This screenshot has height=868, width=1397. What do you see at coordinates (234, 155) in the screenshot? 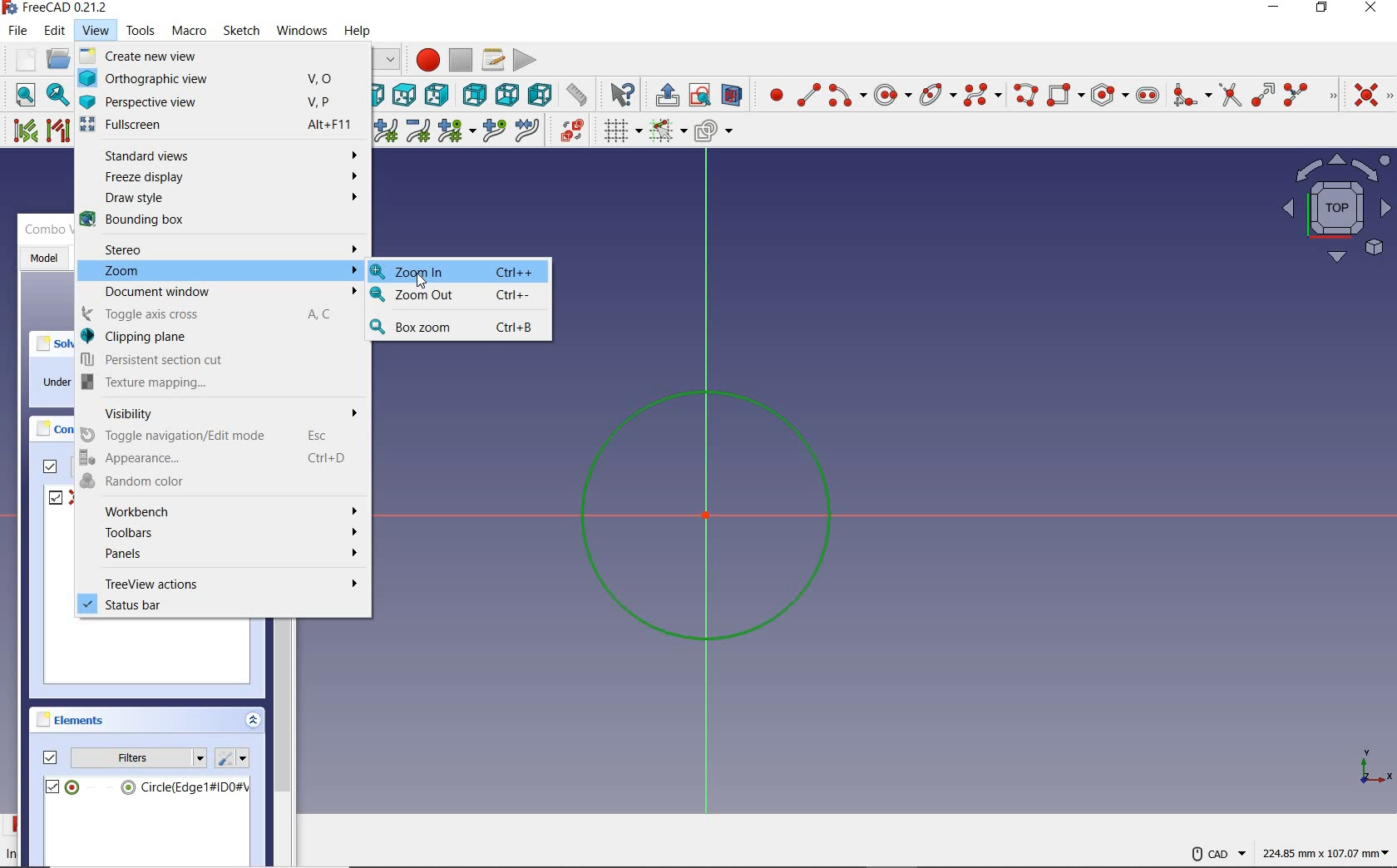
I see `Standard views` at bounding box center [234, 155].